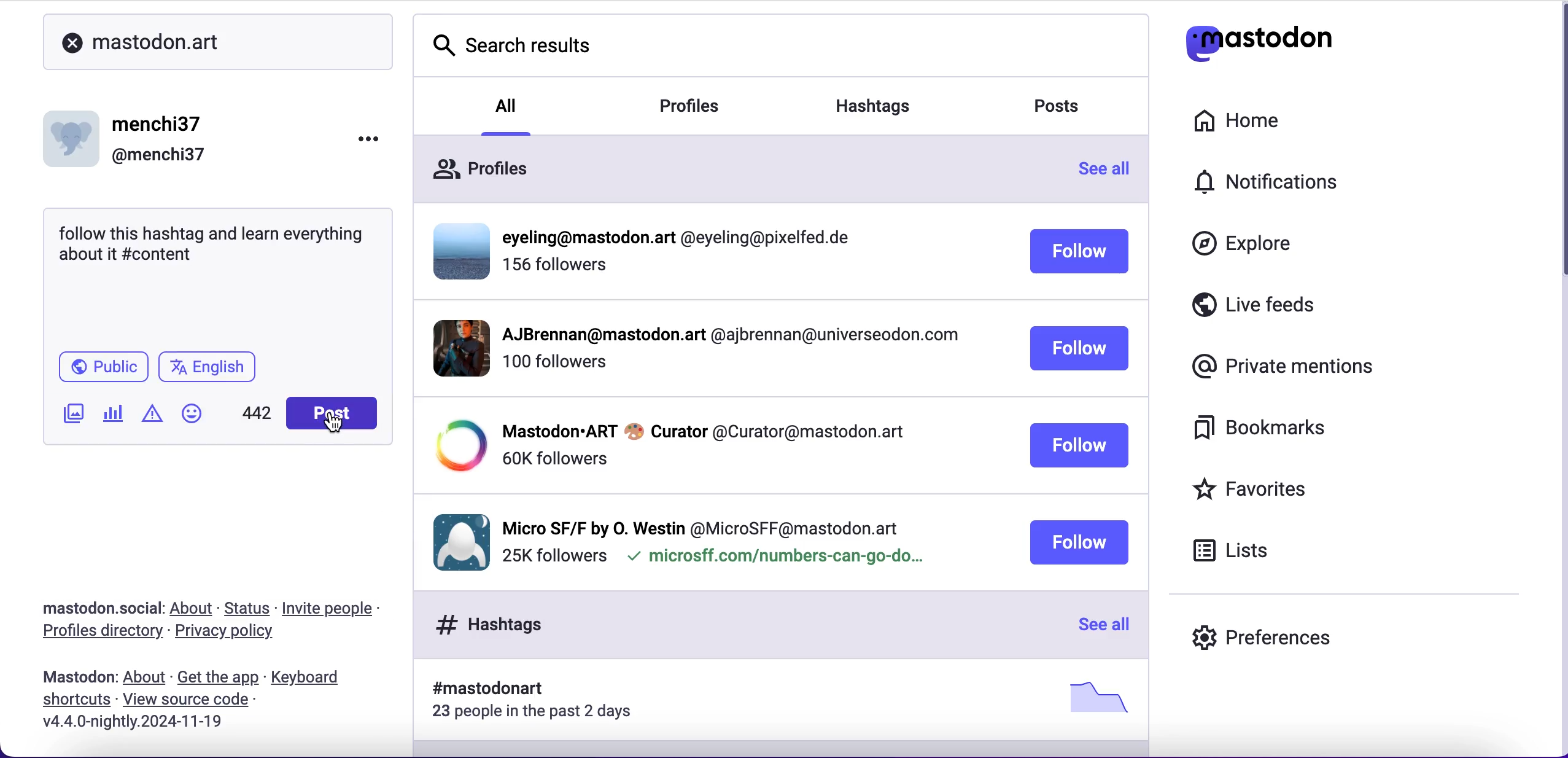 The height and width of the screenshot is (758, 1568). Describe the element at coordinates (230, 634) in the screenshot. I see `privacy policy` at that location.